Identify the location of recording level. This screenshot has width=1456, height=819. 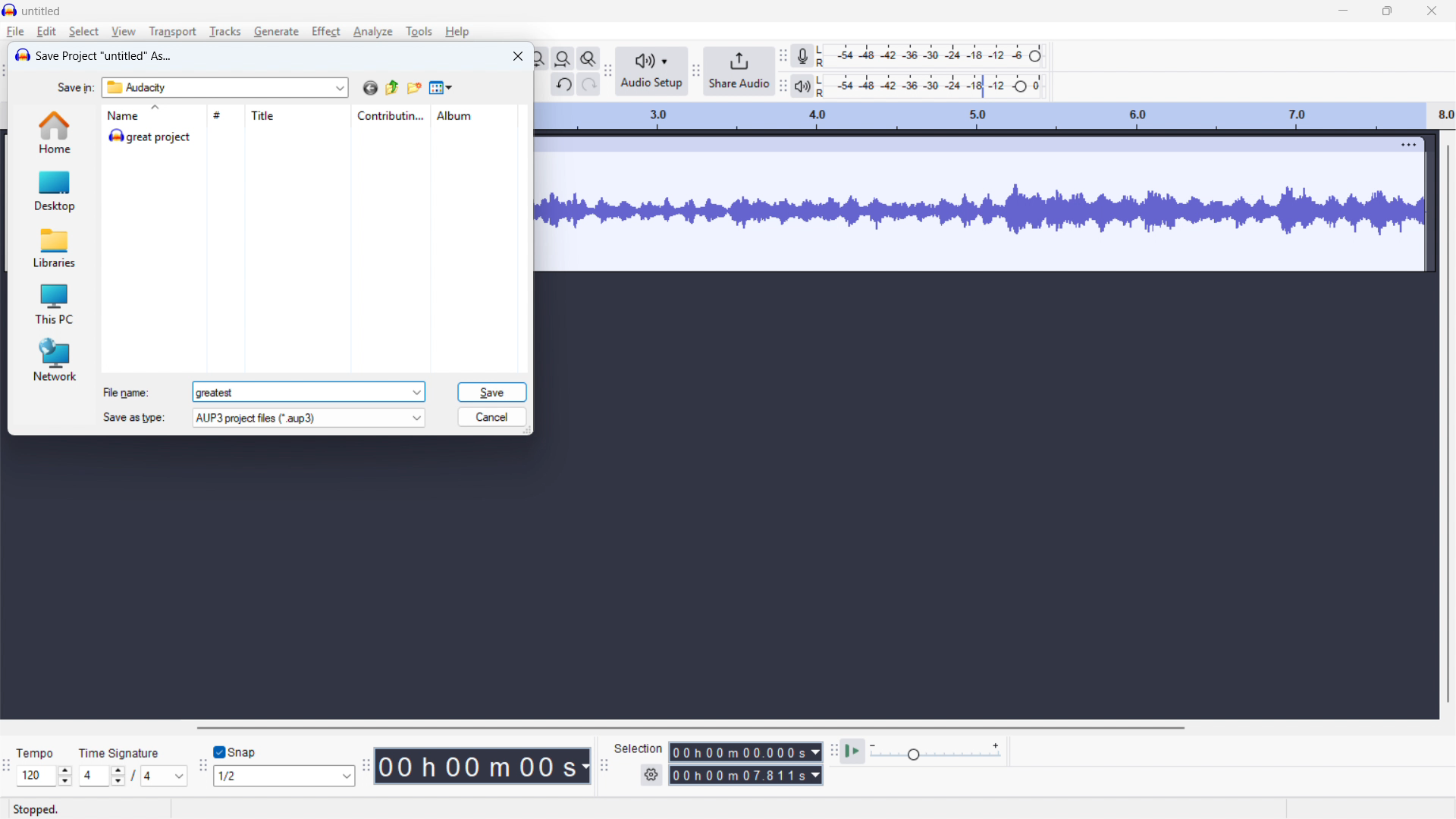
(936, 55).